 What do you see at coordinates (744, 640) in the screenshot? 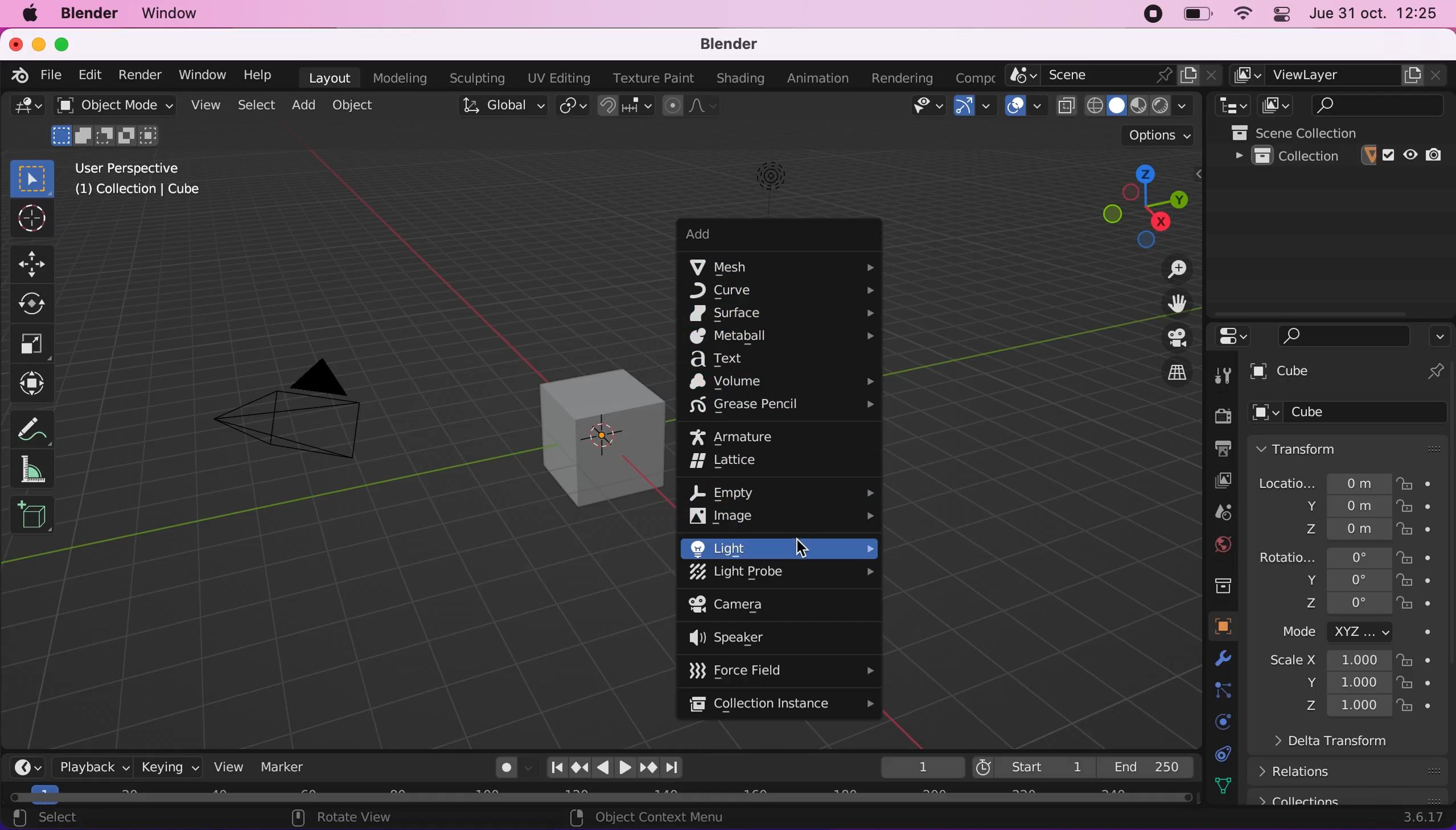
I see `speaker` at bounding box center [744, 640].